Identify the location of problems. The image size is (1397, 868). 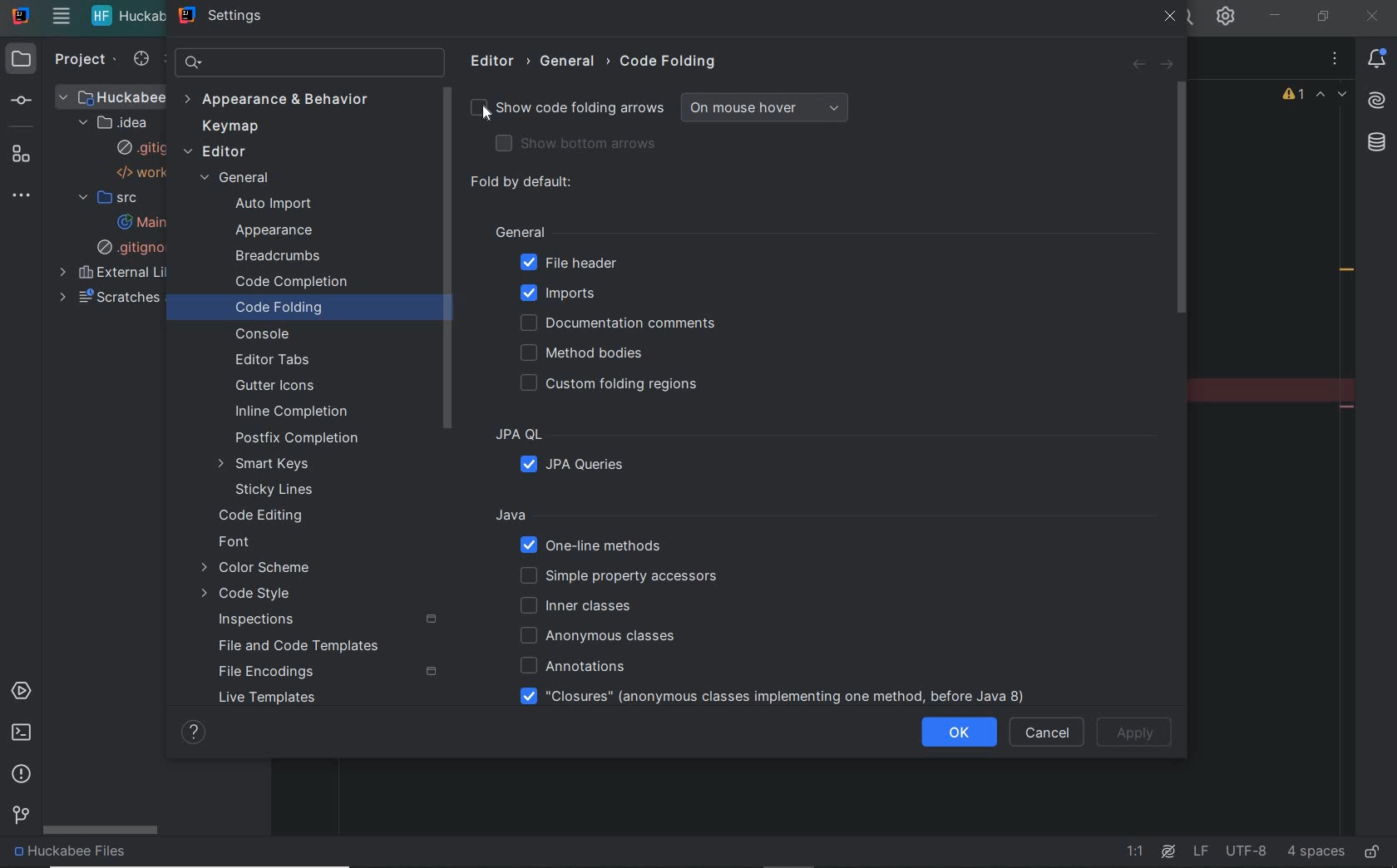
(22, 774).